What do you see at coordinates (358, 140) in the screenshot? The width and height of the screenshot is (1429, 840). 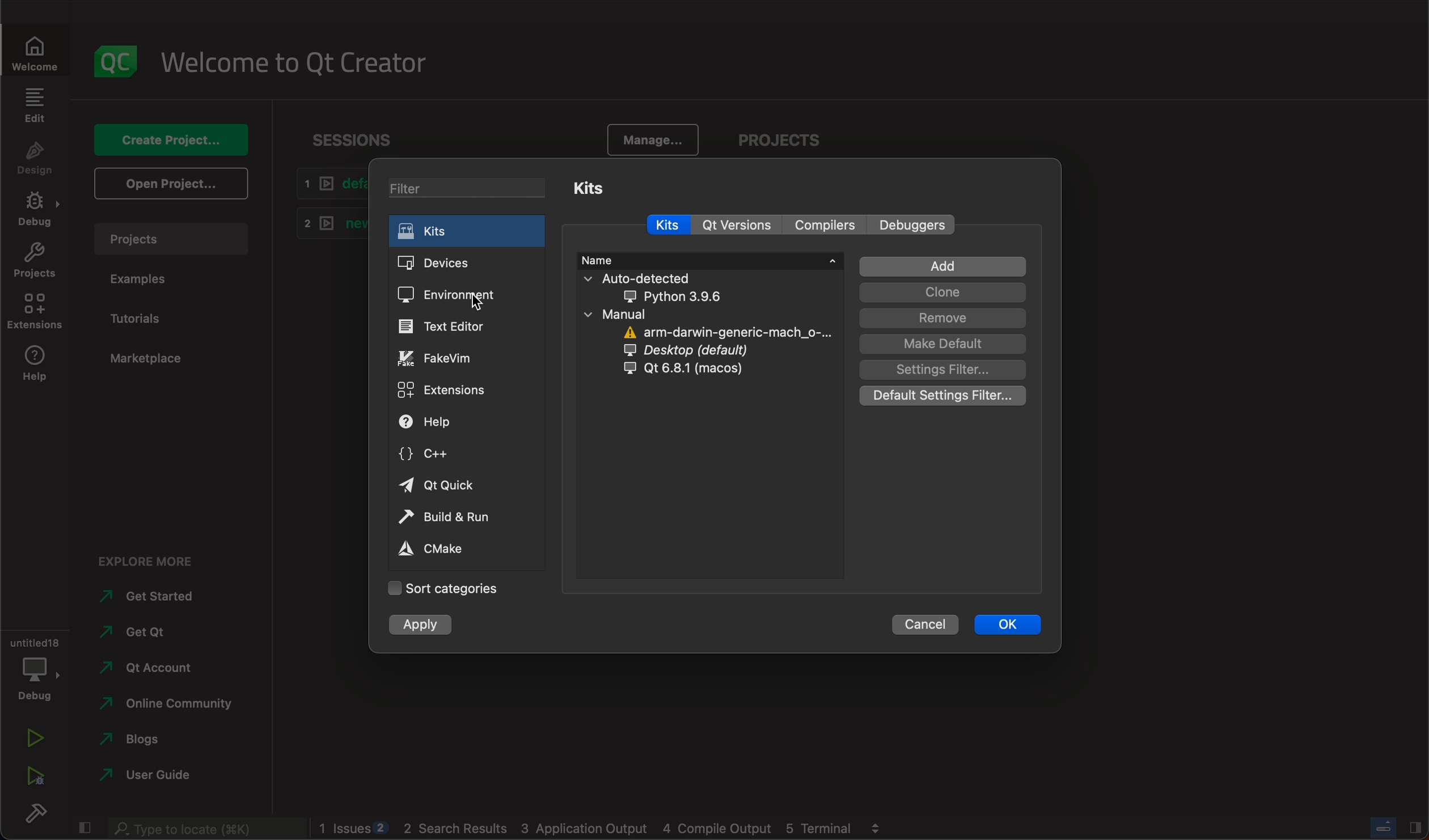 I see `sessins` at bounding box center [358, 140].